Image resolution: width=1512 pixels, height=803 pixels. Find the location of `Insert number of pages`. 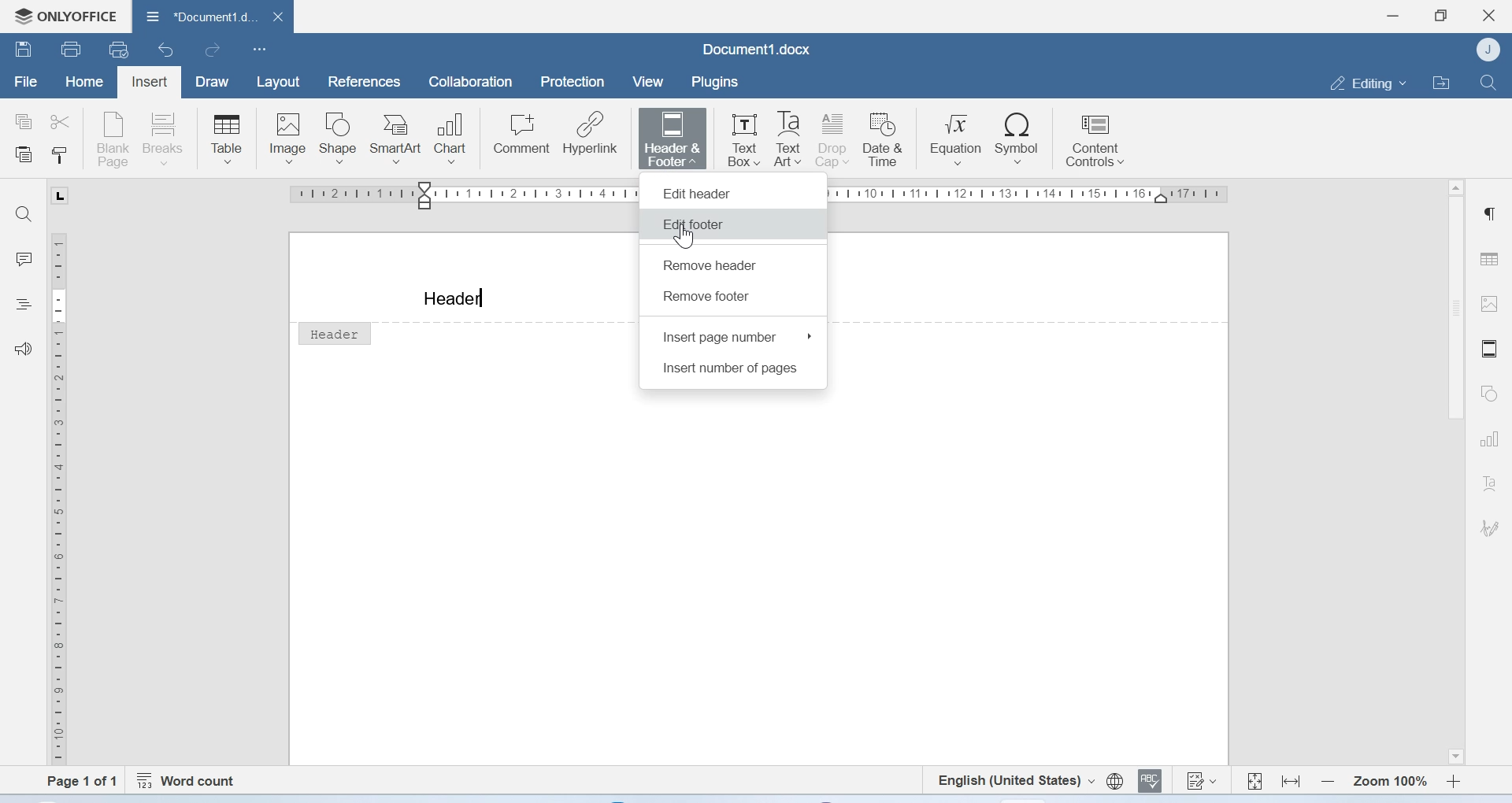

Insert number of pages is located at coordinates (732, 371).